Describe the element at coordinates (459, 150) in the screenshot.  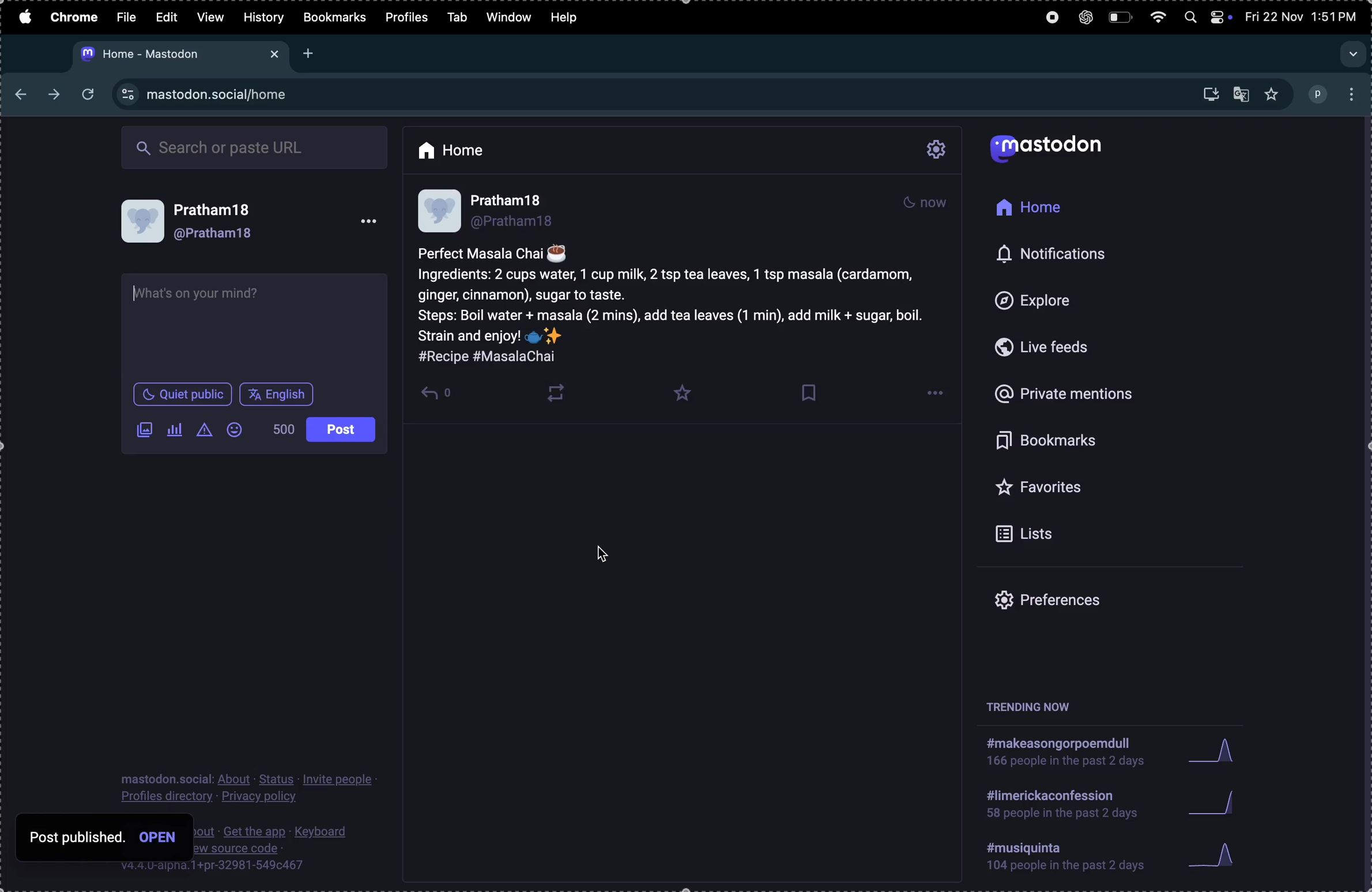
I see `home` at that location.